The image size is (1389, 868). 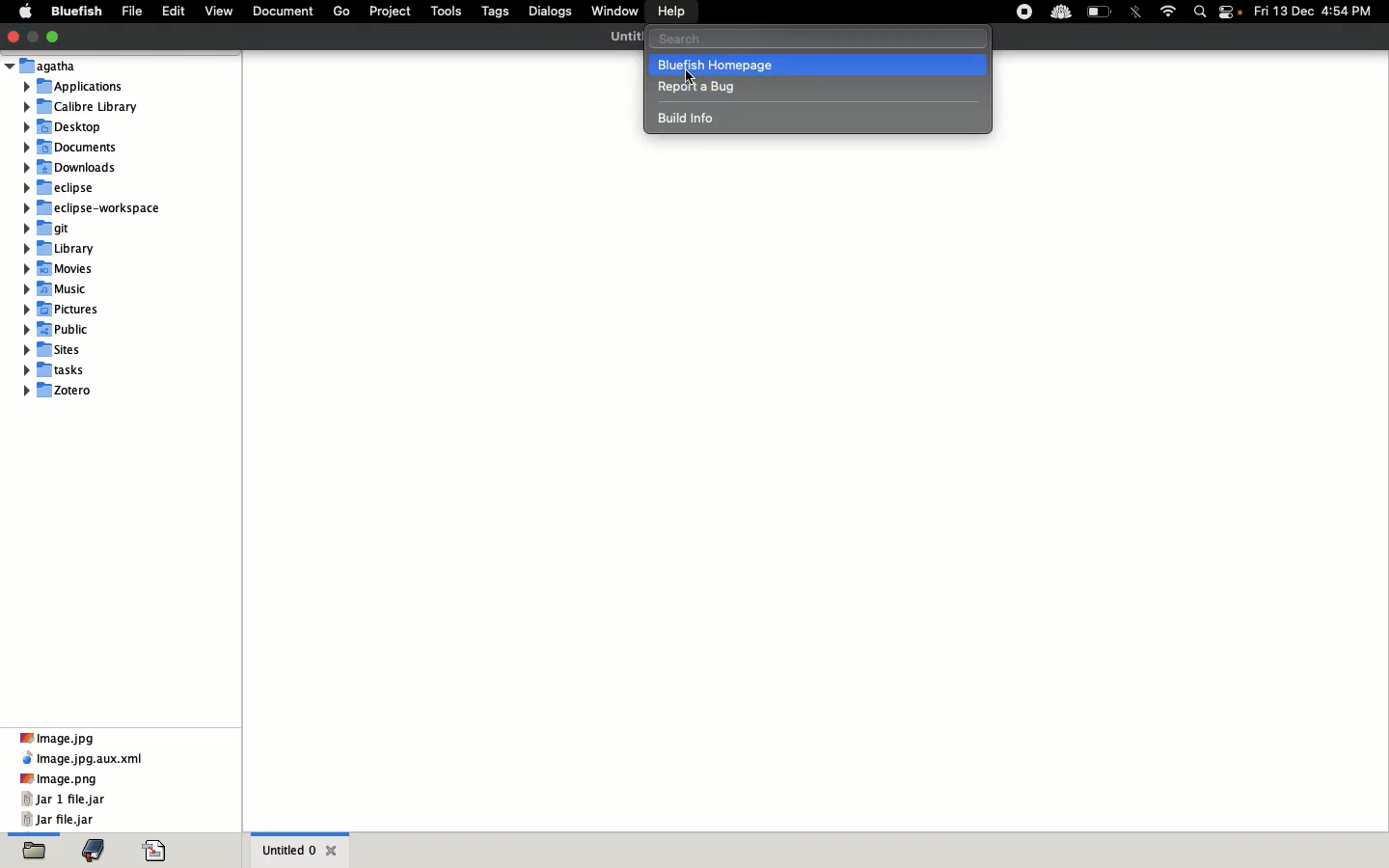 I want to click on Minimize, so click(x=32, y=36).